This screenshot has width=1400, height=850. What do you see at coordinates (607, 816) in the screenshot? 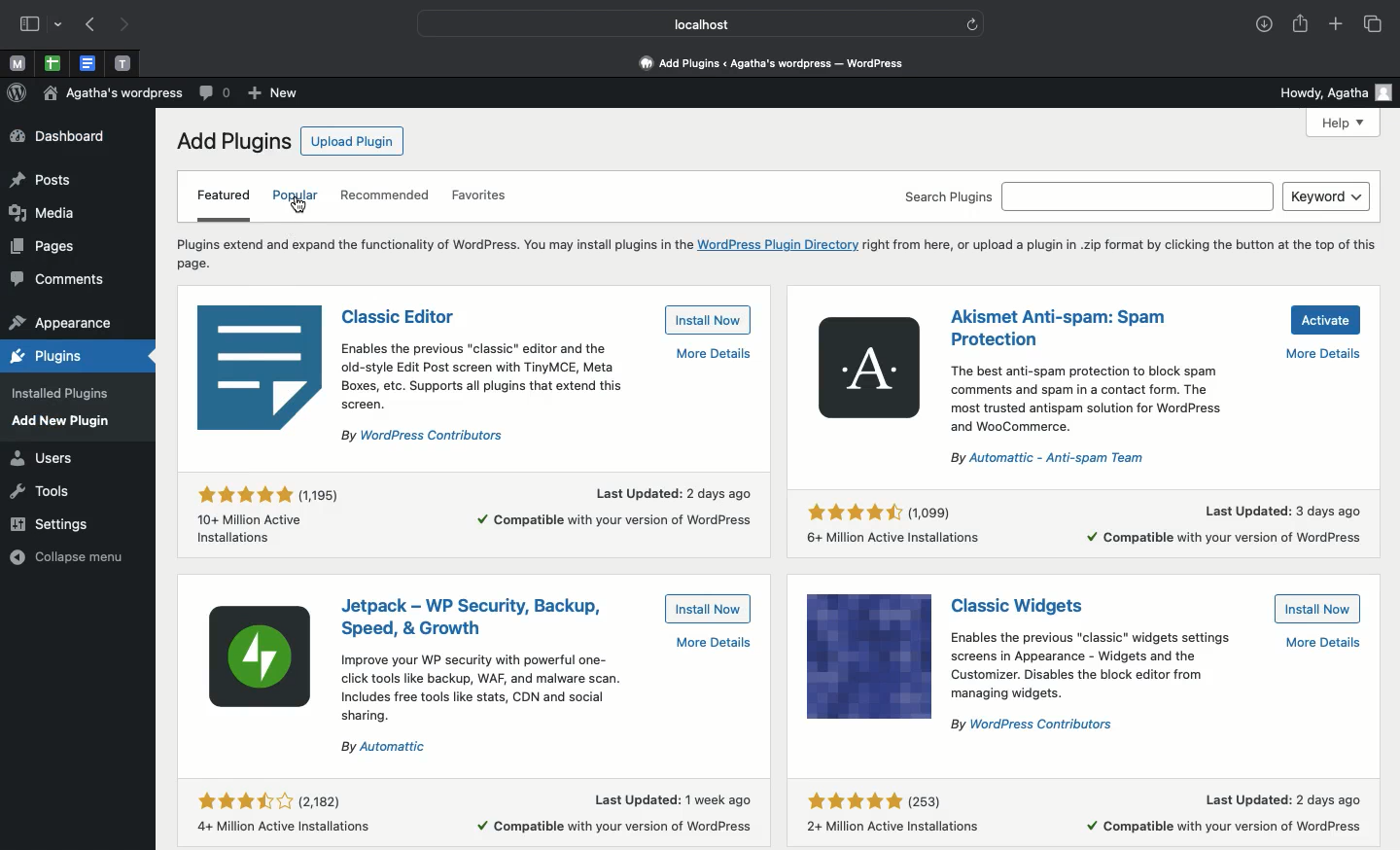
I see `More details` at bounding box center [607, 816].